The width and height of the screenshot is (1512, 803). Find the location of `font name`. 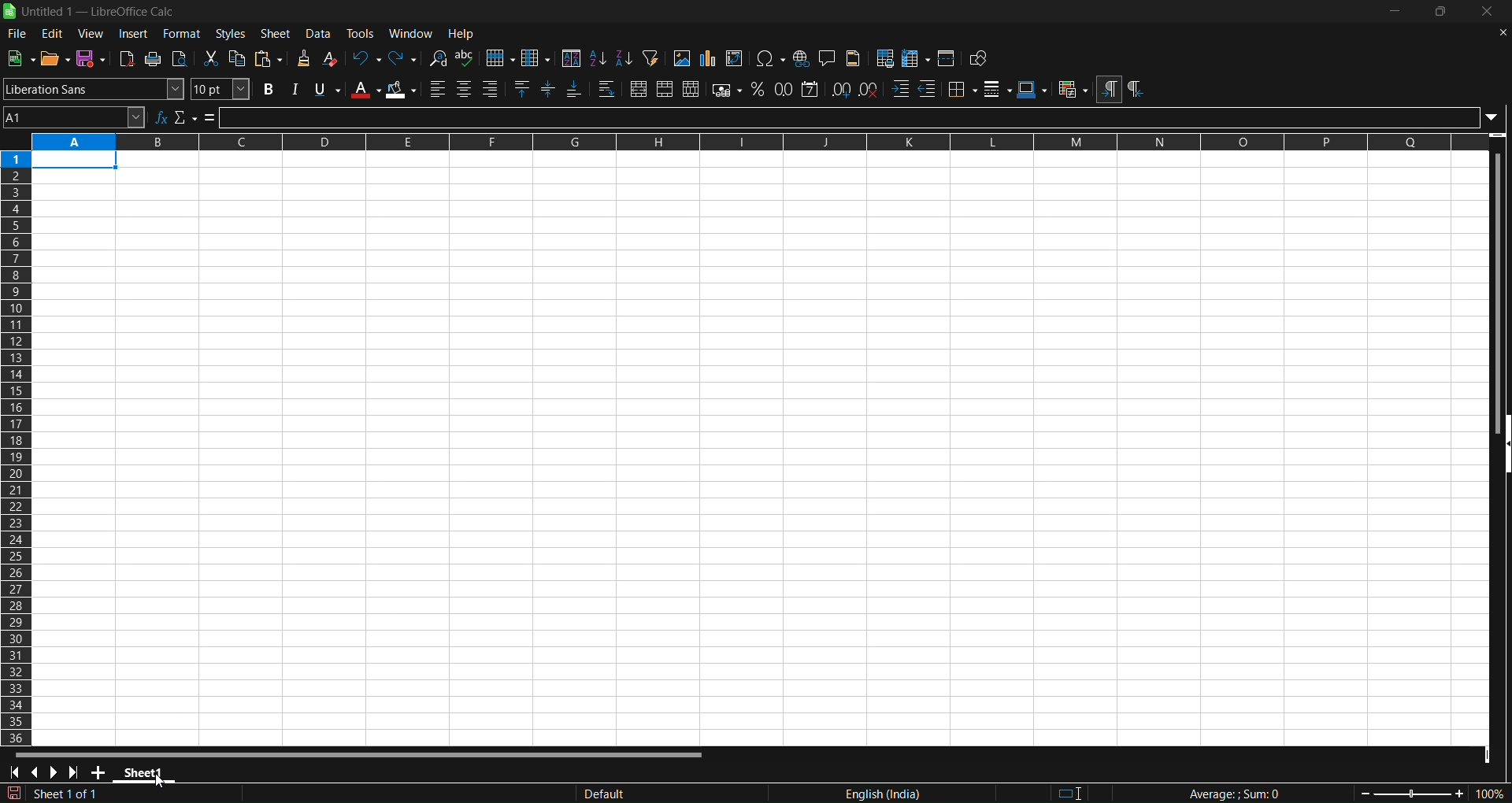

font name is located at coordinates (94, 88).